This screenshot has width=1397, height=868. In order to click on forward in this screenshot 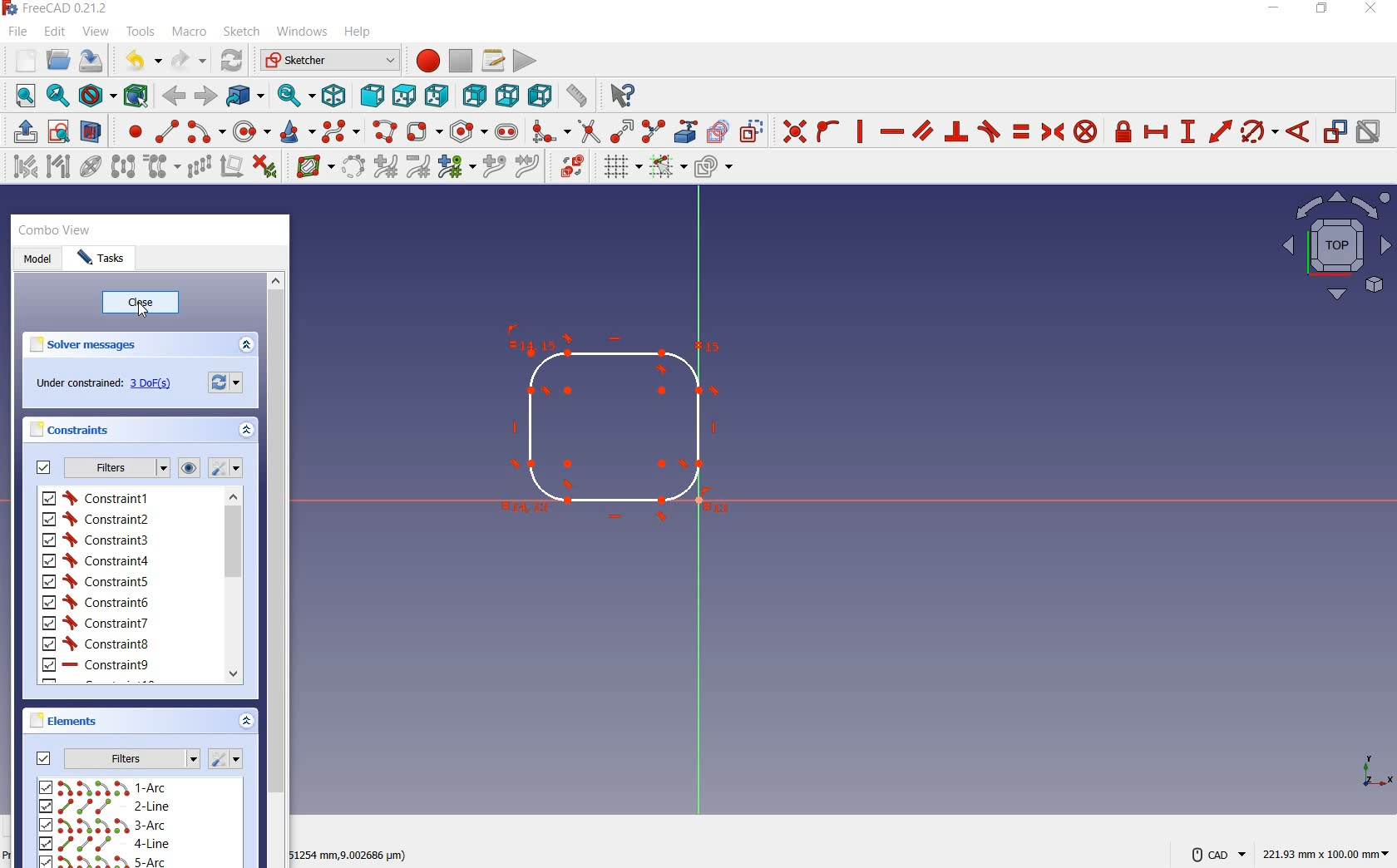, I will do `click(175, 95)`.